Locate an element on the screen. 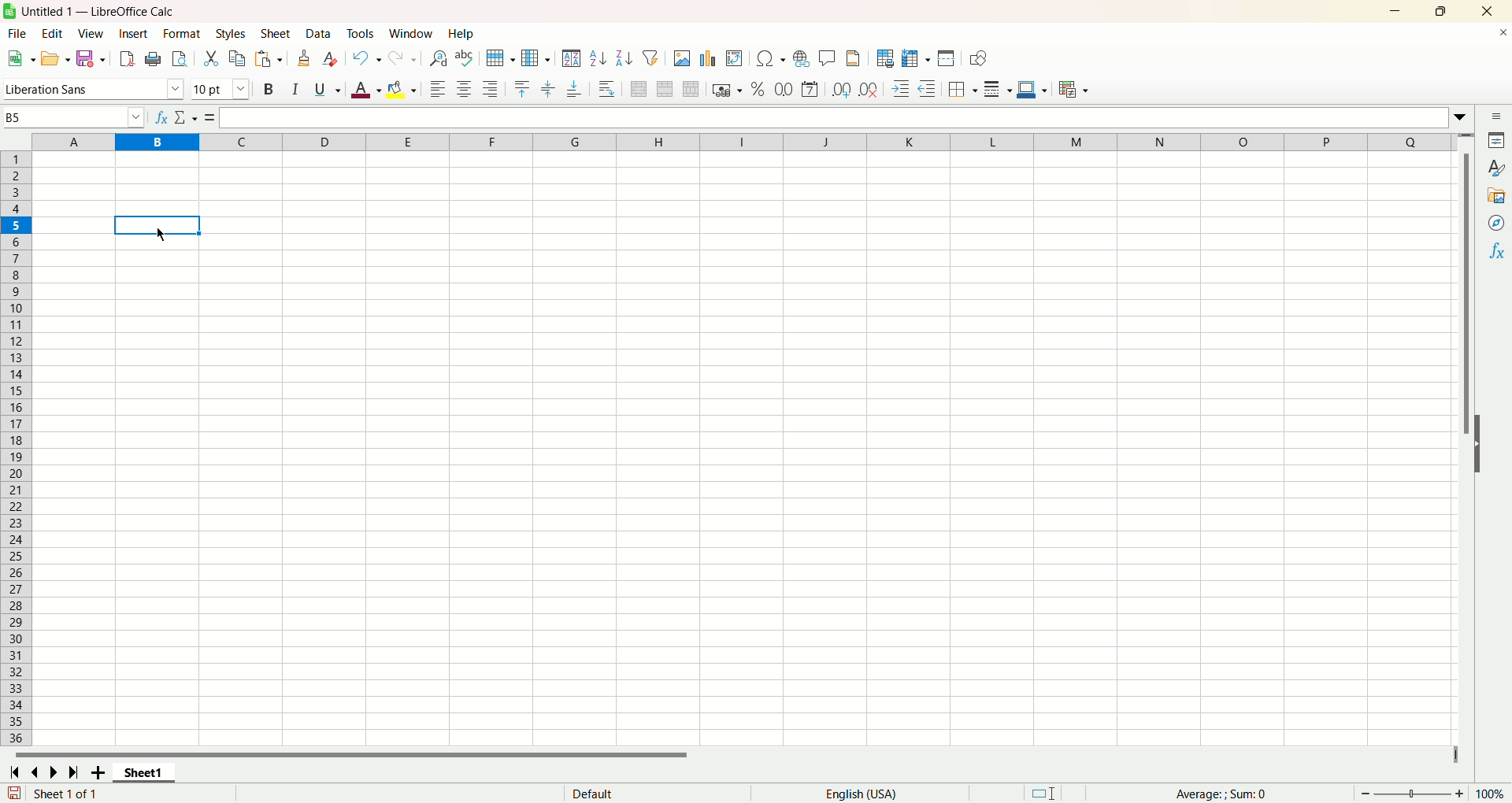  sheet is located at coordinates (279, 33).